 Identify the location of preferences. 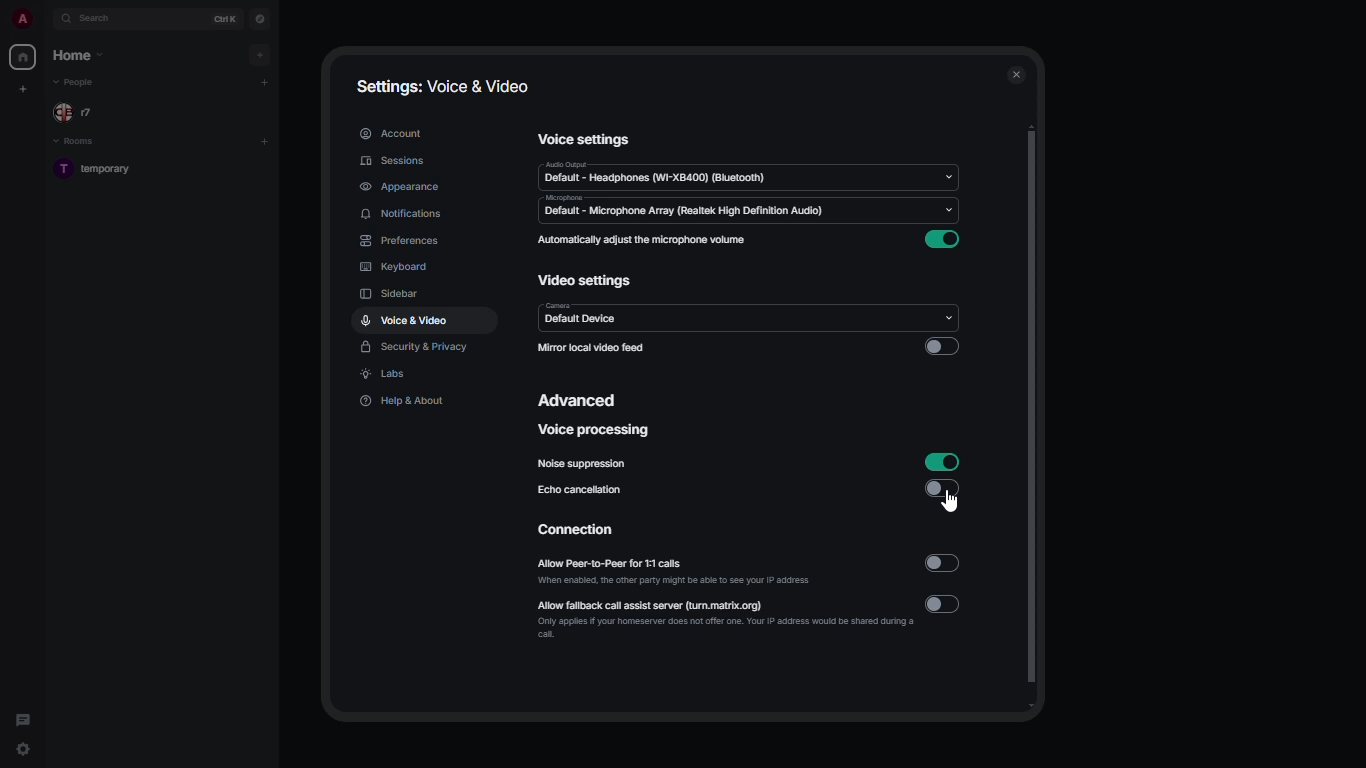
(401, 241).